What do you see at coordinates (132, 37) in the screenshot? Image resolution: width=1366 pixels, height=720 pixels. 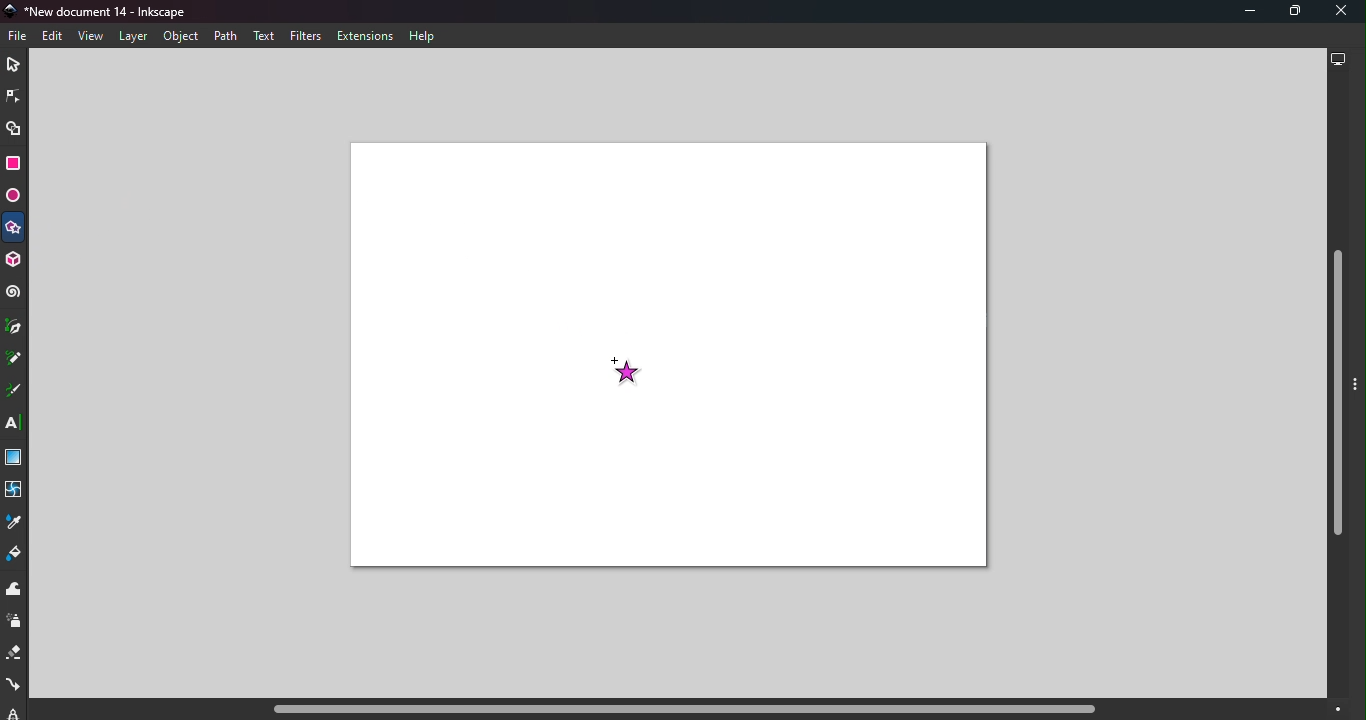 I see `Layers` at bounding box center [132, 37].